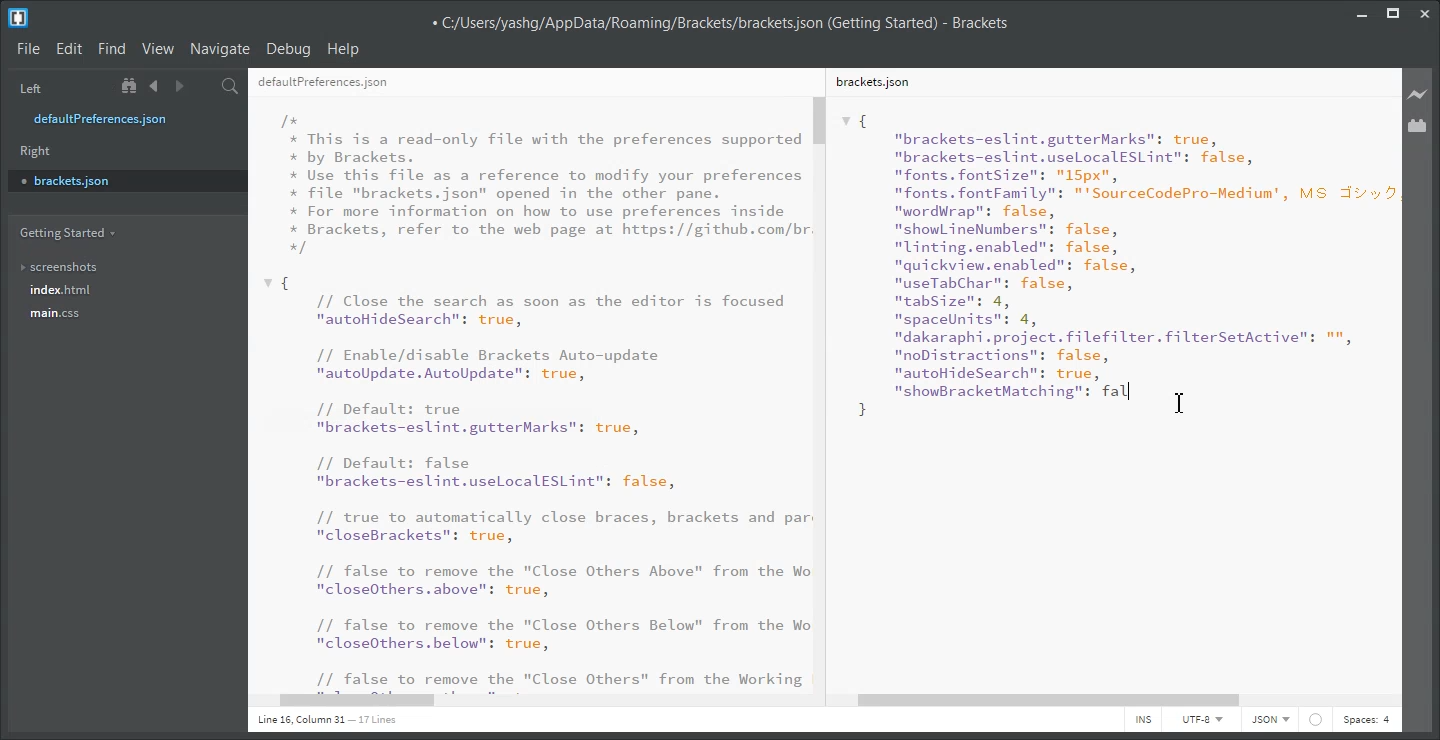 The image size is (1440, 740). What do you see at coordinates (66, 233) in the screenshot?
I see `Getting Started` at bounding box center [66, 233].